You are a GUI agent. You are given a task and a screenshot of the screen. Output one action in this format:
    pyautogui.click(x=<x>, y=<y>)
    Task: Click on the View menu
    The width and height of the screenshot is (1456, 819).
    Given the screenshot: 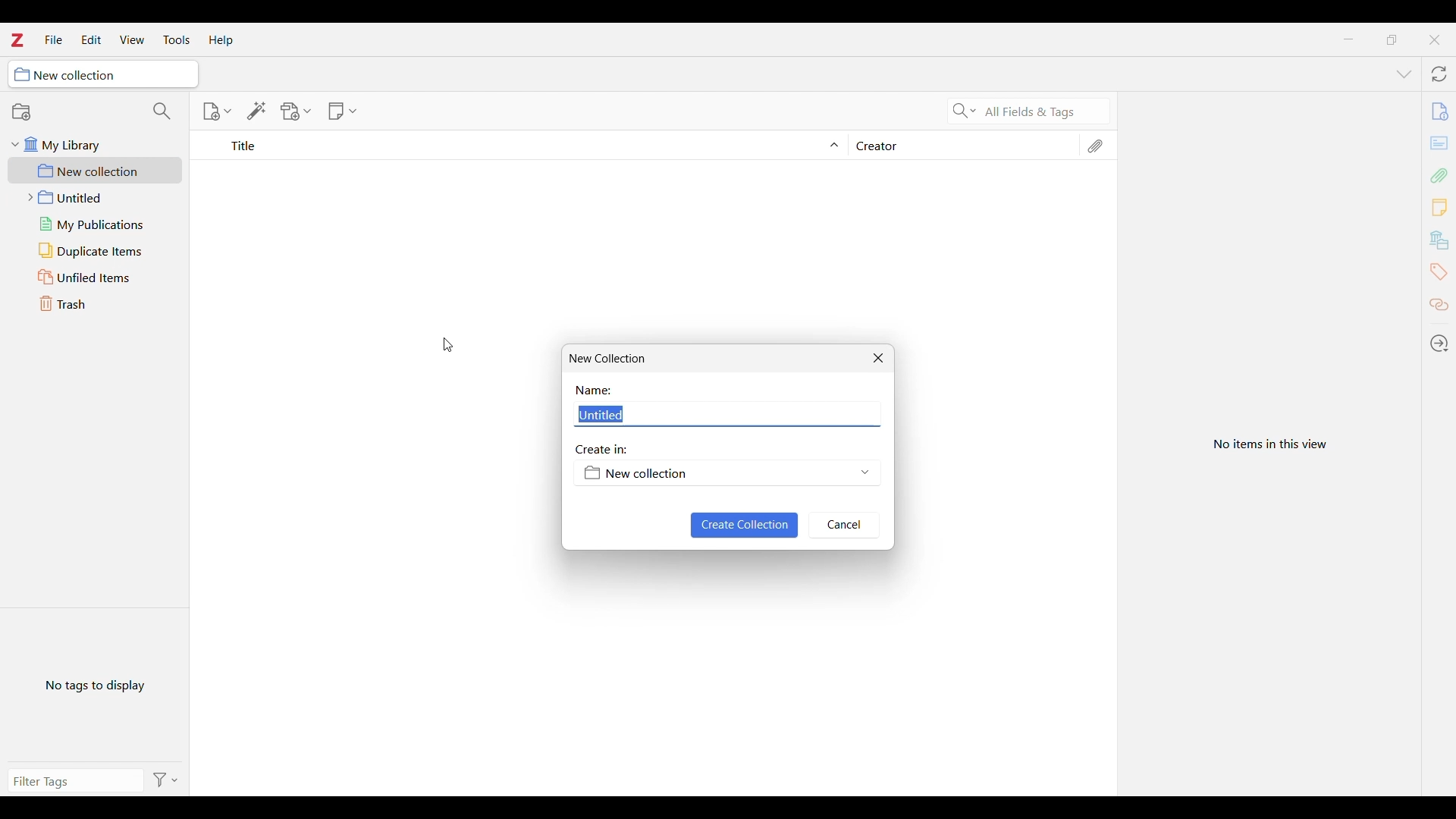 What is the action you would take?
    pyautogui.click(x=133, y=39)
    